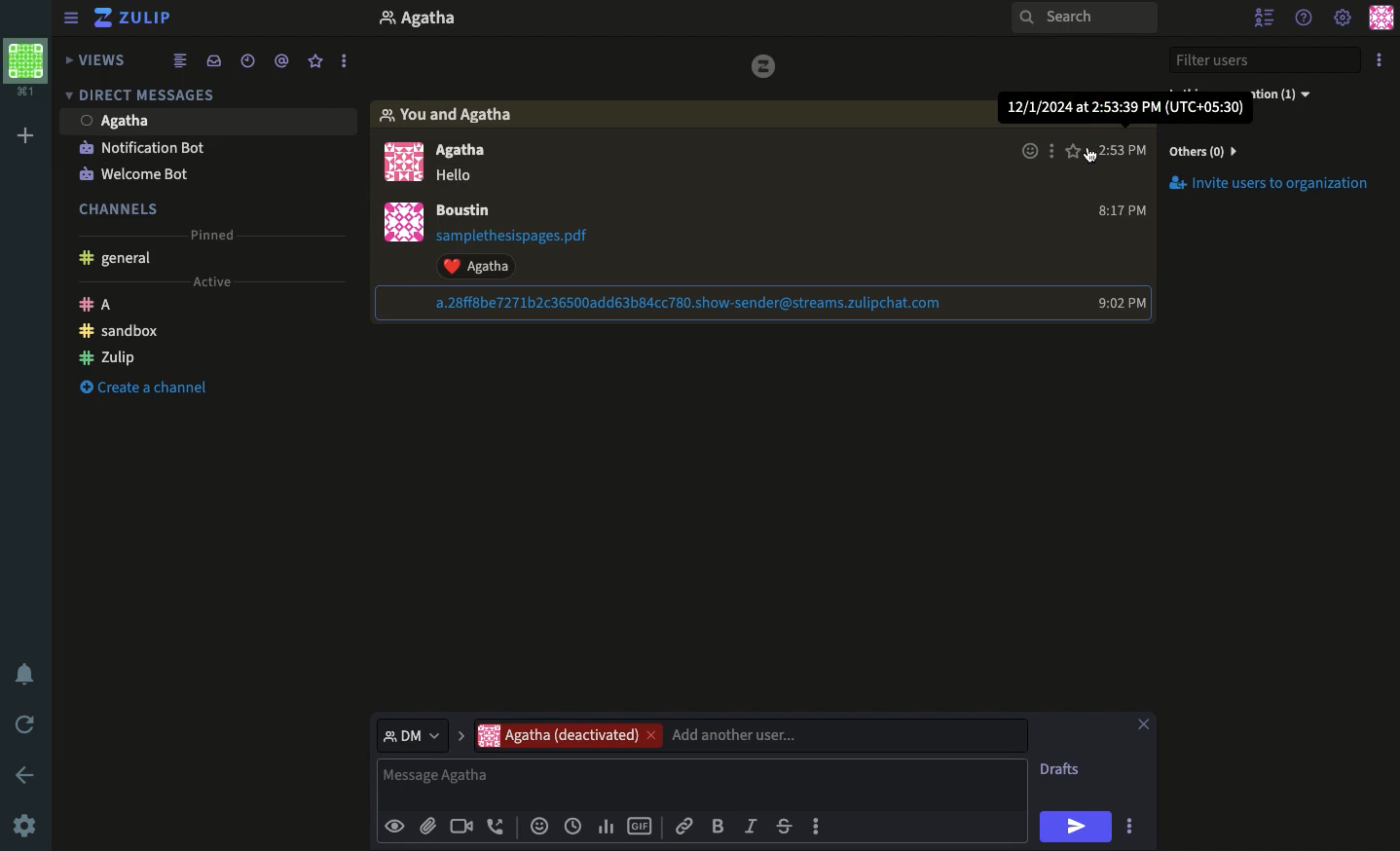 This screenshot has width=1400, height=851. What do you see at coordinates (95, 59) in the screenshot?
I see `Views` at bounding box center [95, 59].